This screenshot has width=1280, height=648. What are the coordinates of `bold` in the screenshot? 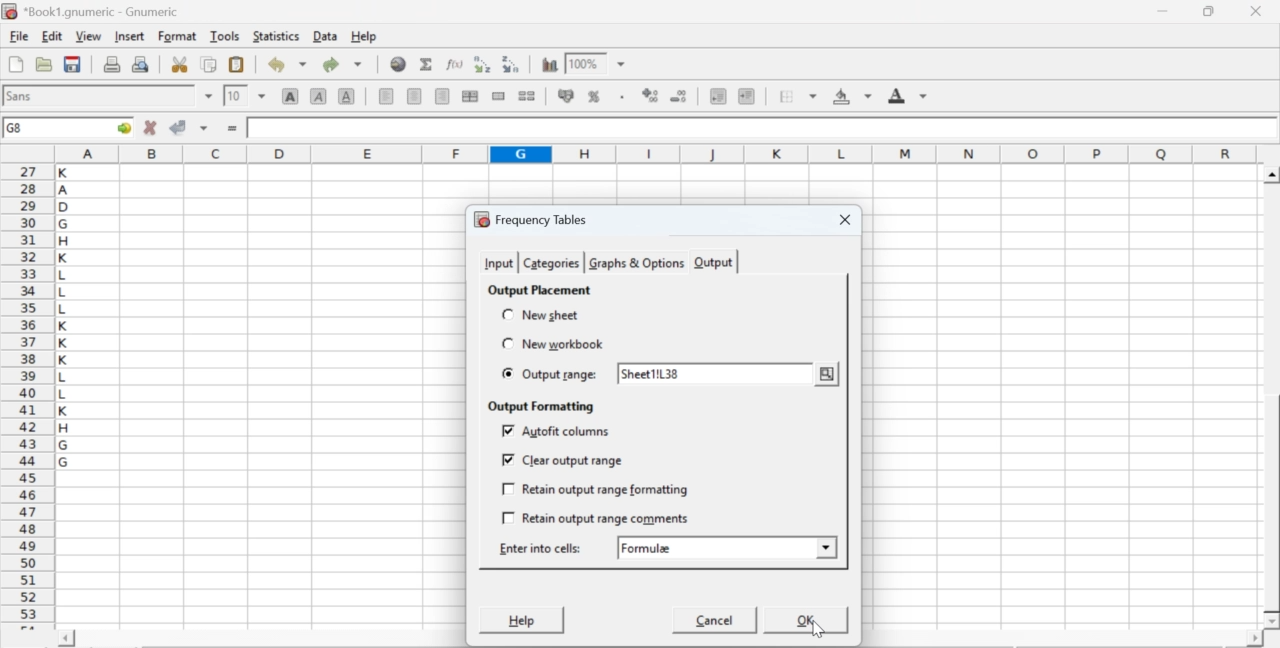 It's located at (291, 95).